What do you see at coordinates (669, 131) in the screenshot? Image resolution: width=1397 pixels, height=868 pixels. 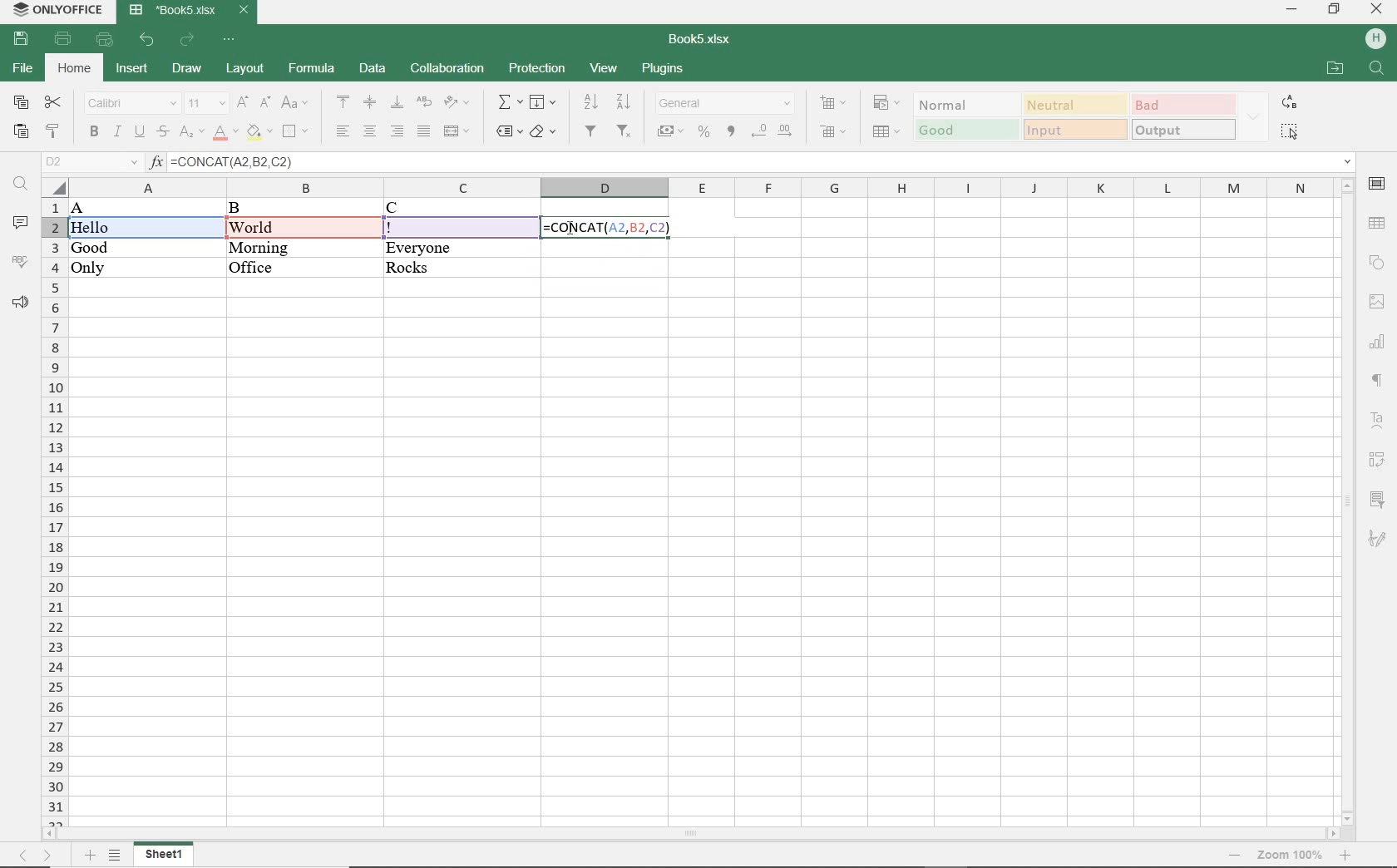 I see `ACCOUNTING STYLE` at bounding box center [669, 131].